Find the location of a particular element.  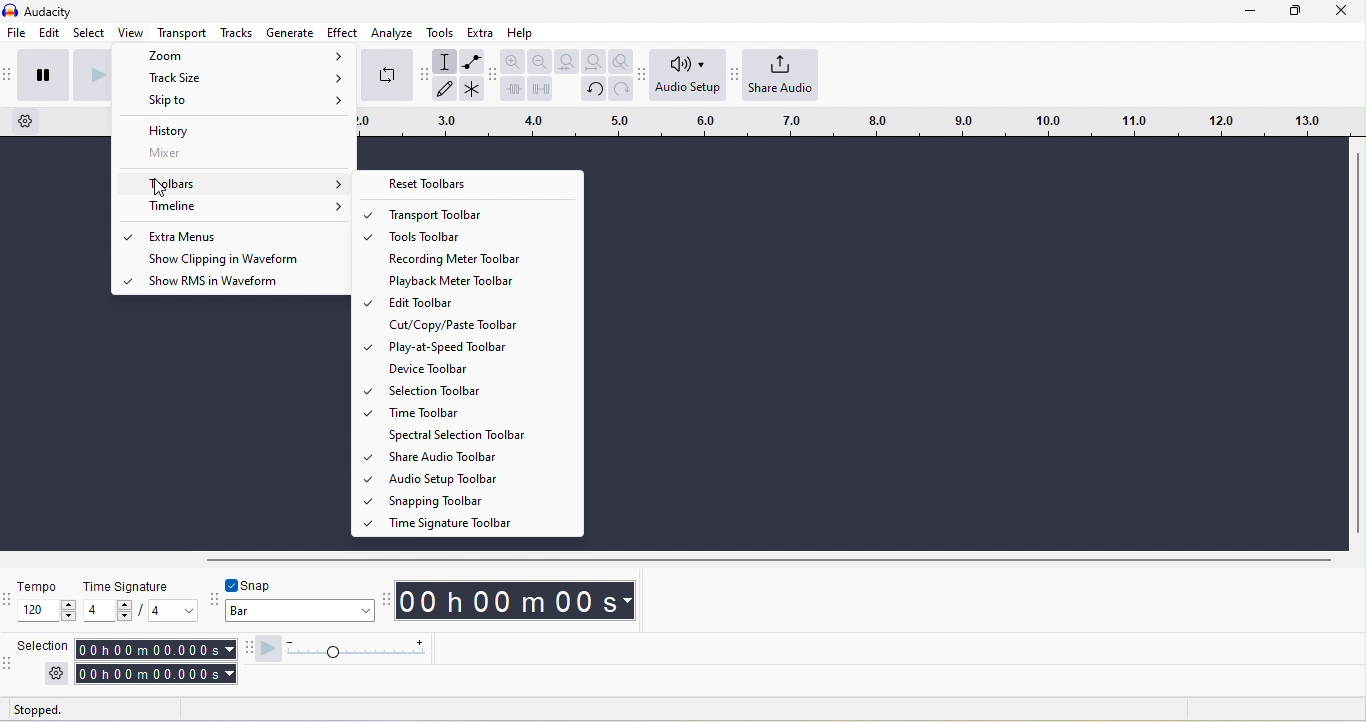

Spectral selection toolbar is located at coordinates (480, 435).